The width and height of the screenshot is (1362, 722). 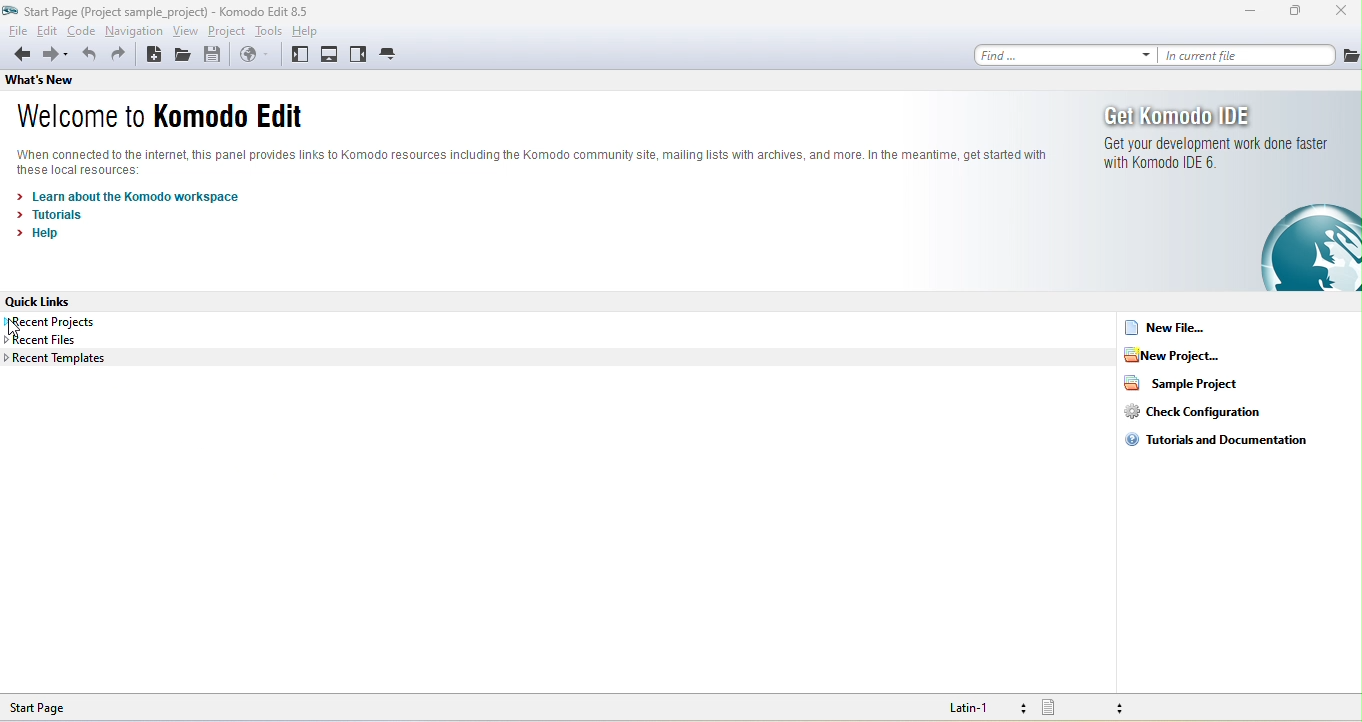 What do you see at coordinates (213, 55) in the screenshot?
I see `save` at bounding box center [213, 55].